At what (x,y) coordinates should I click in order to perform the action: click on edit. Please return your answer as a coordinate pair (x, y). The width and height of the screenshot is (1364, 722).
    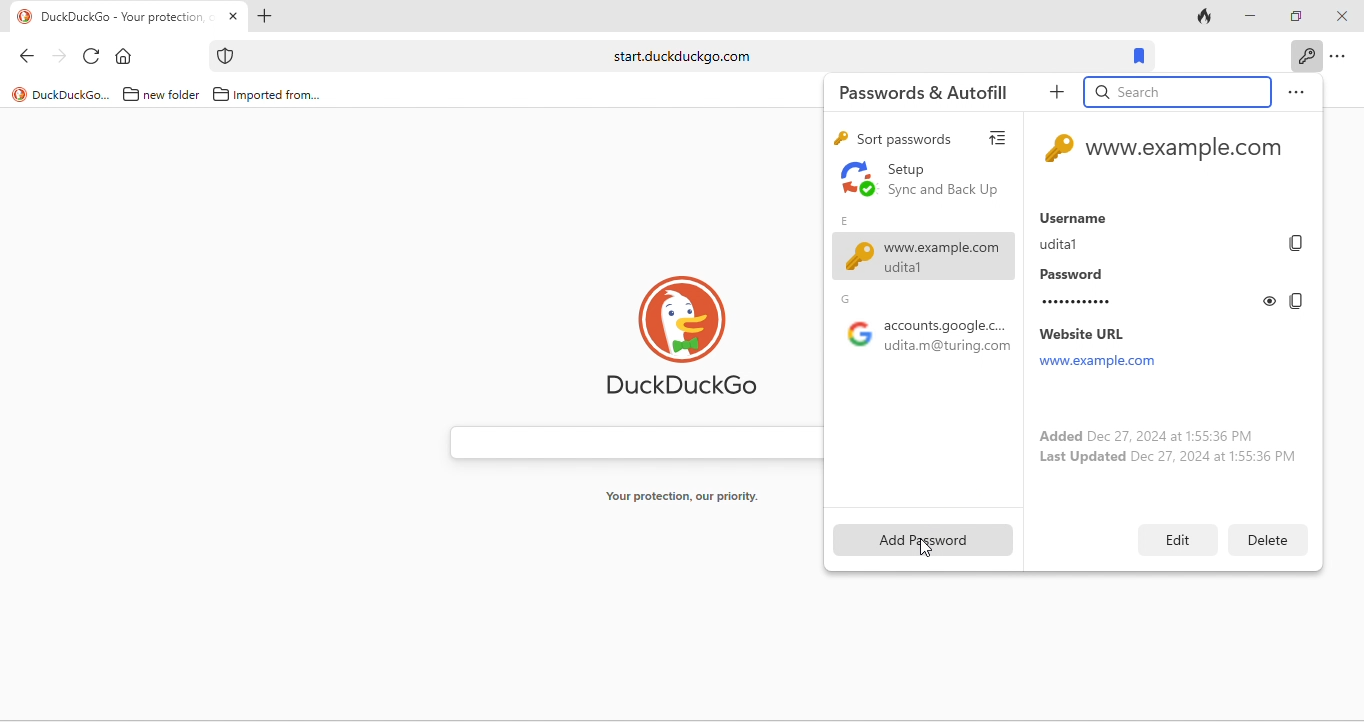
    Looking at the image, I should click on (1180, 538).